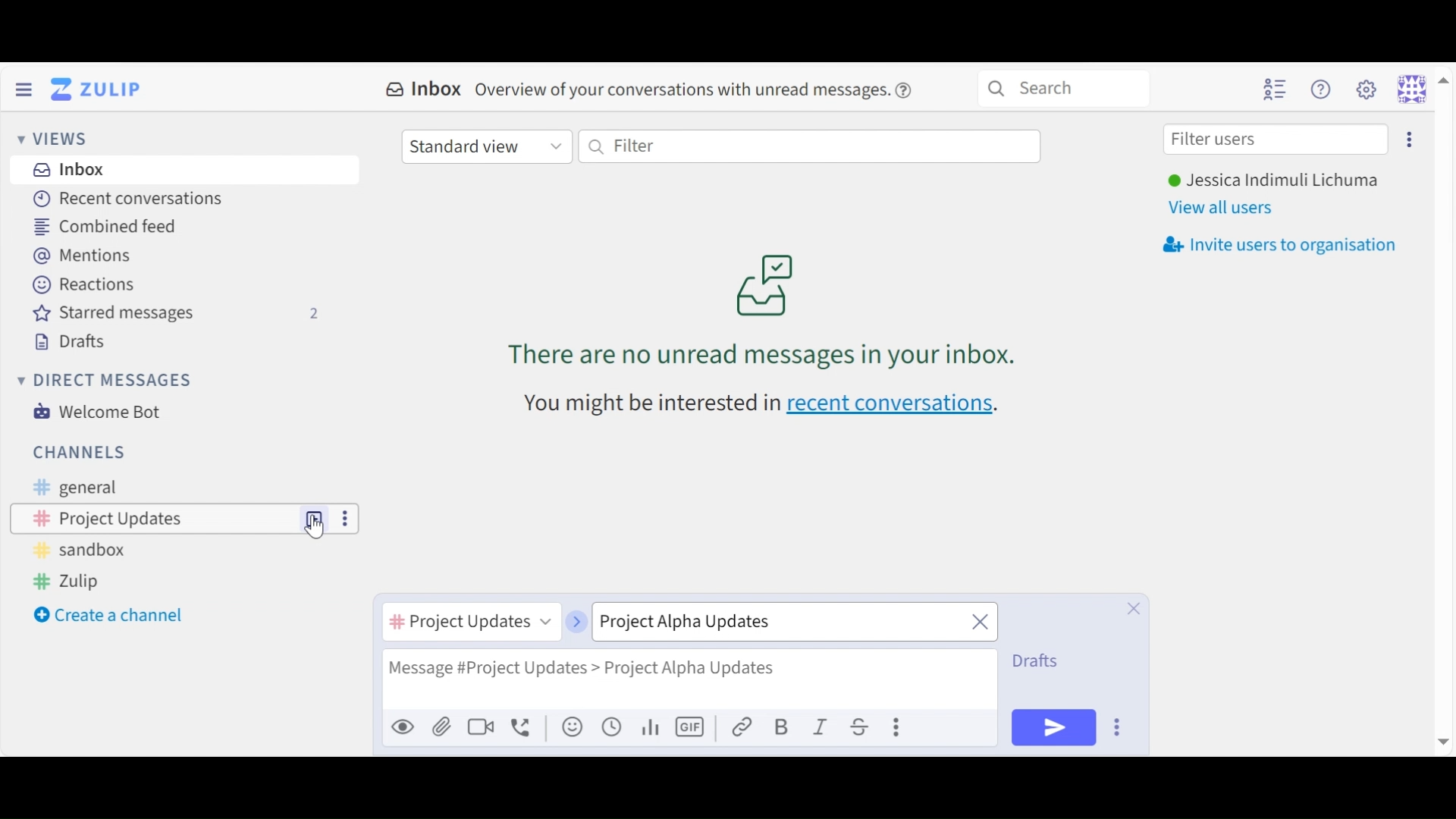  What do you see at coordinates (522, 727) in the screenshot?
I see `Add voice call` at bounding box center [522, 727].